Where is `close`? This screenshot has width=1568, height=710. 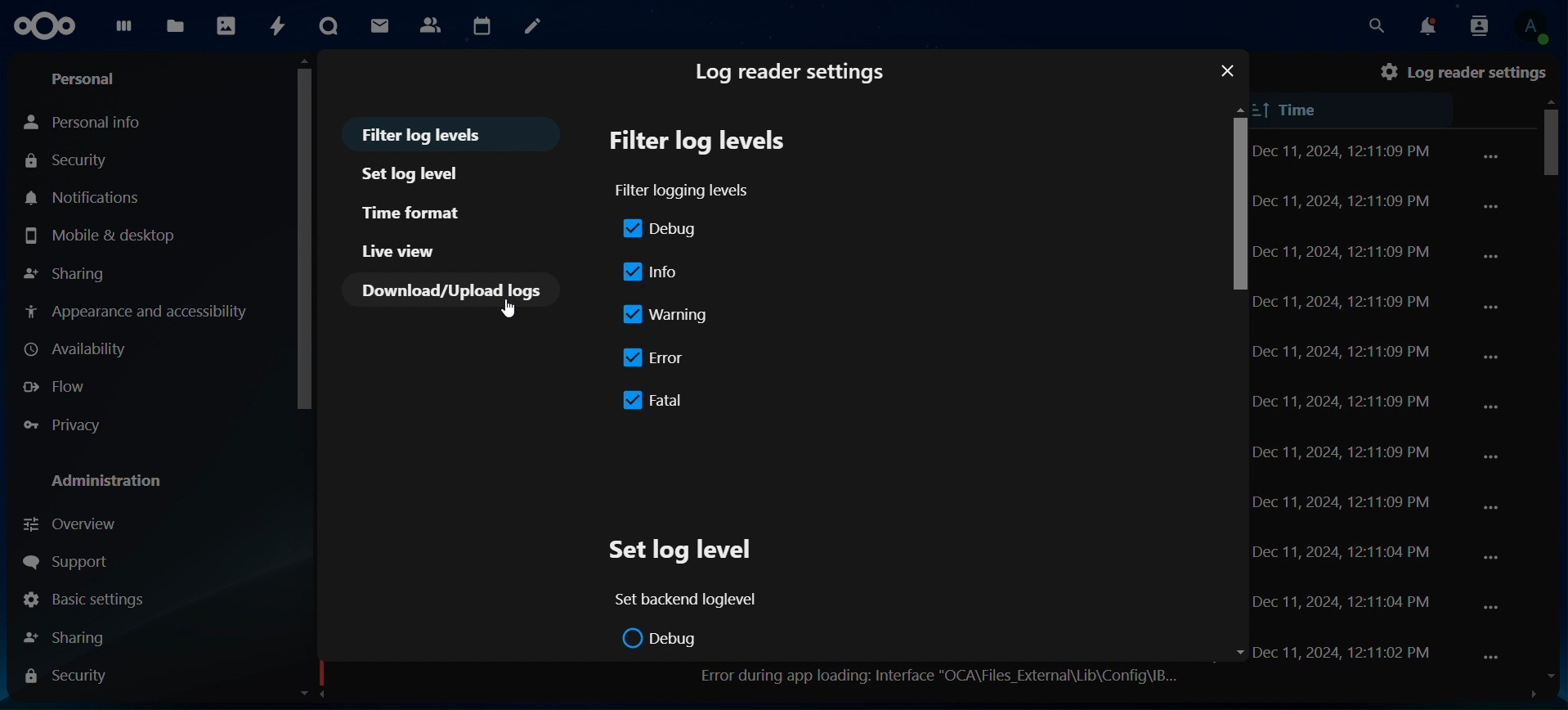 close is located at coordinates (1227, 71).